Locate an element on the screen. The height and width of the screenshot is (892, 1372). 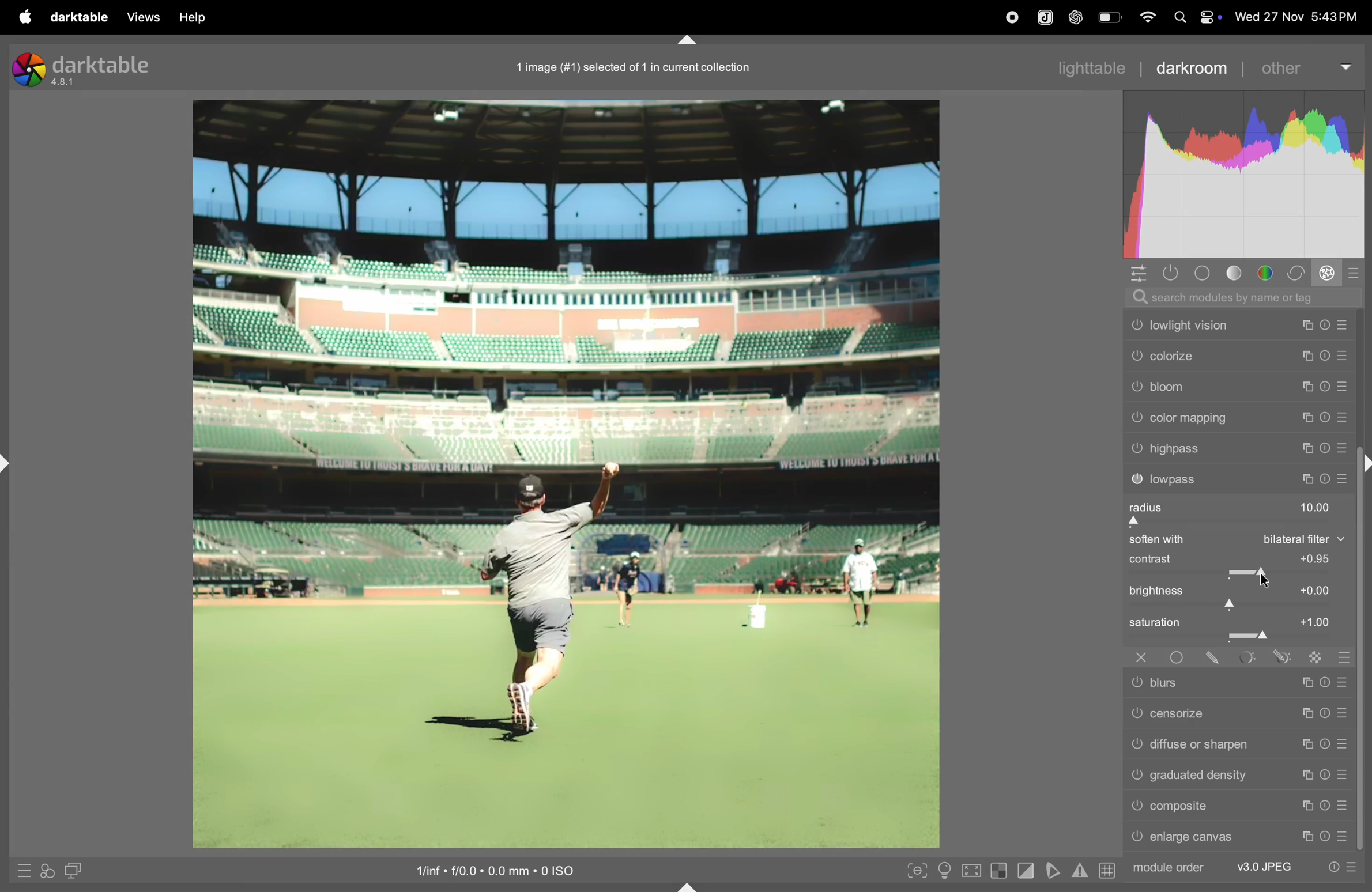
drawn & parmetric mask is located at coordinates (1284, 657).